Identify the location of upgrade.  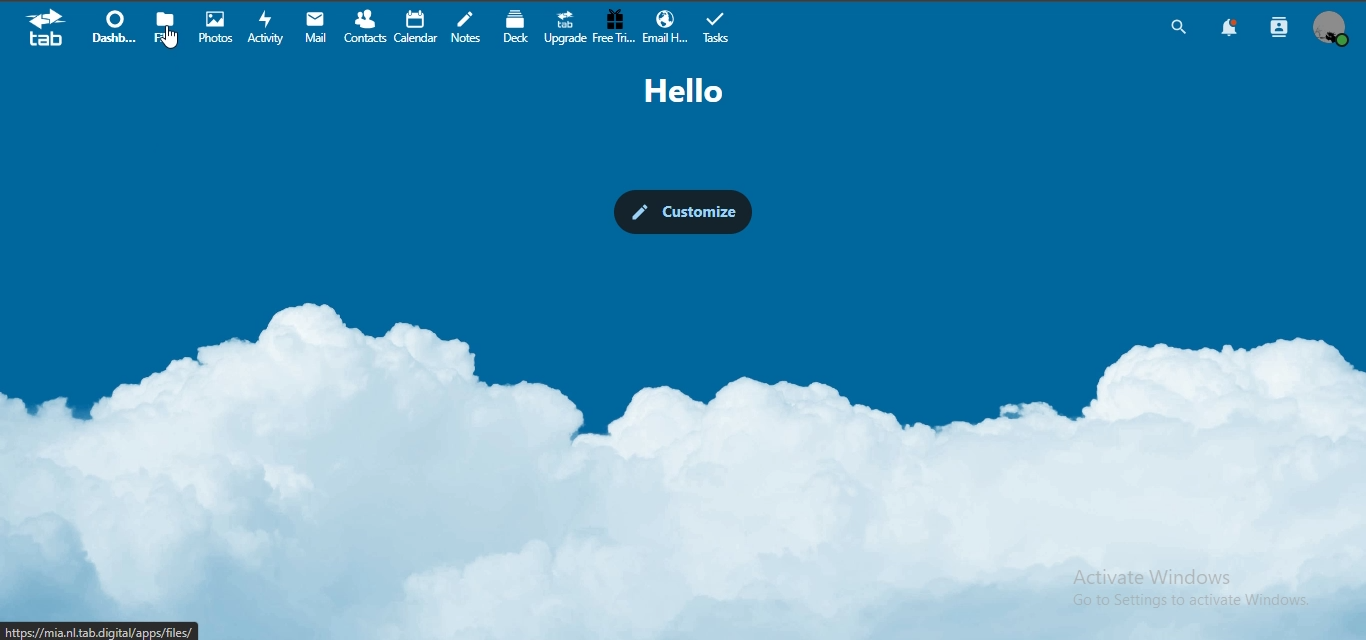
(566, 26).